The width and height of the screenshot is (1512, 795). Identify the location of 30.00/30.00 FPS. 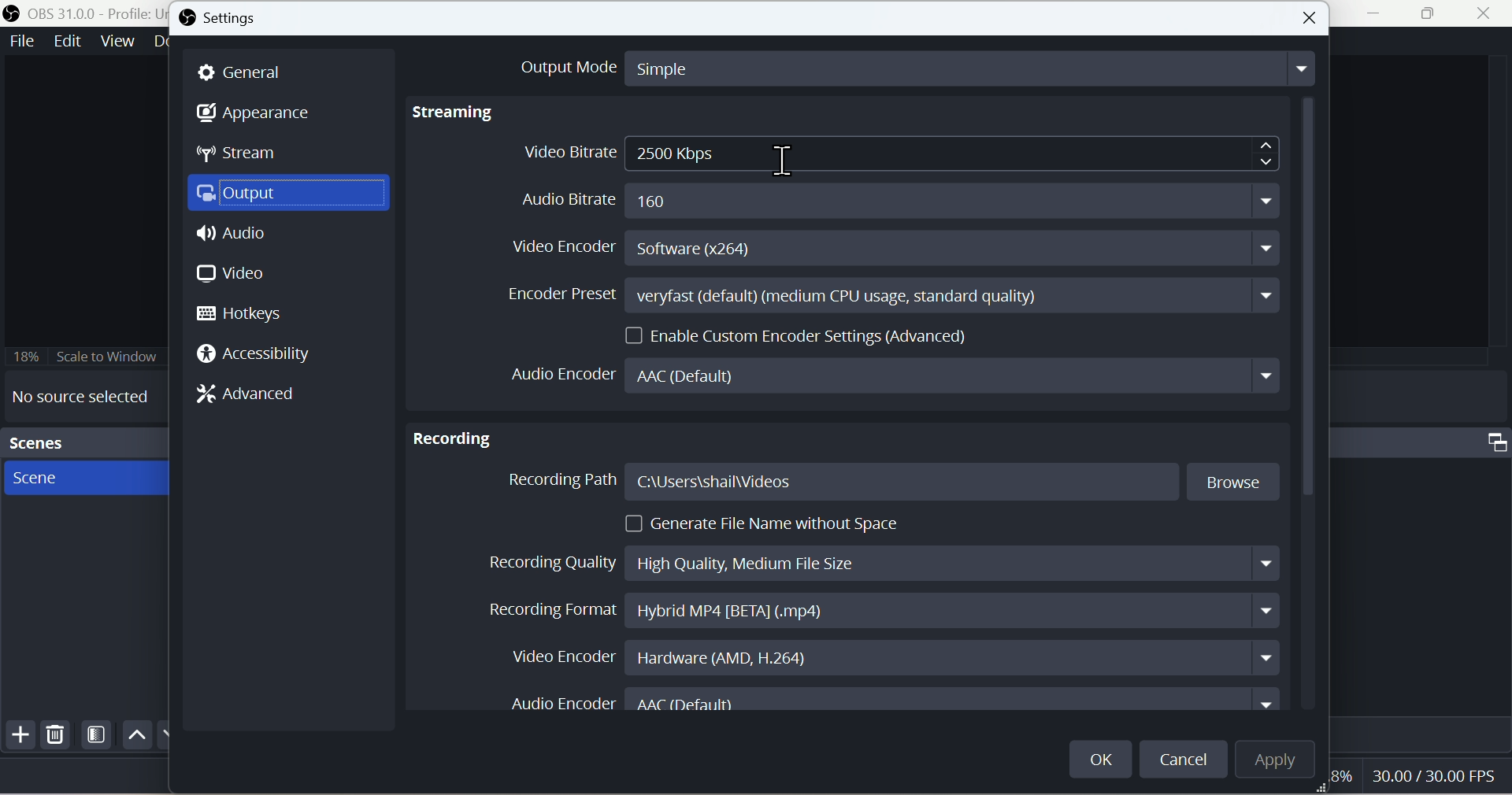
(1429, 775).